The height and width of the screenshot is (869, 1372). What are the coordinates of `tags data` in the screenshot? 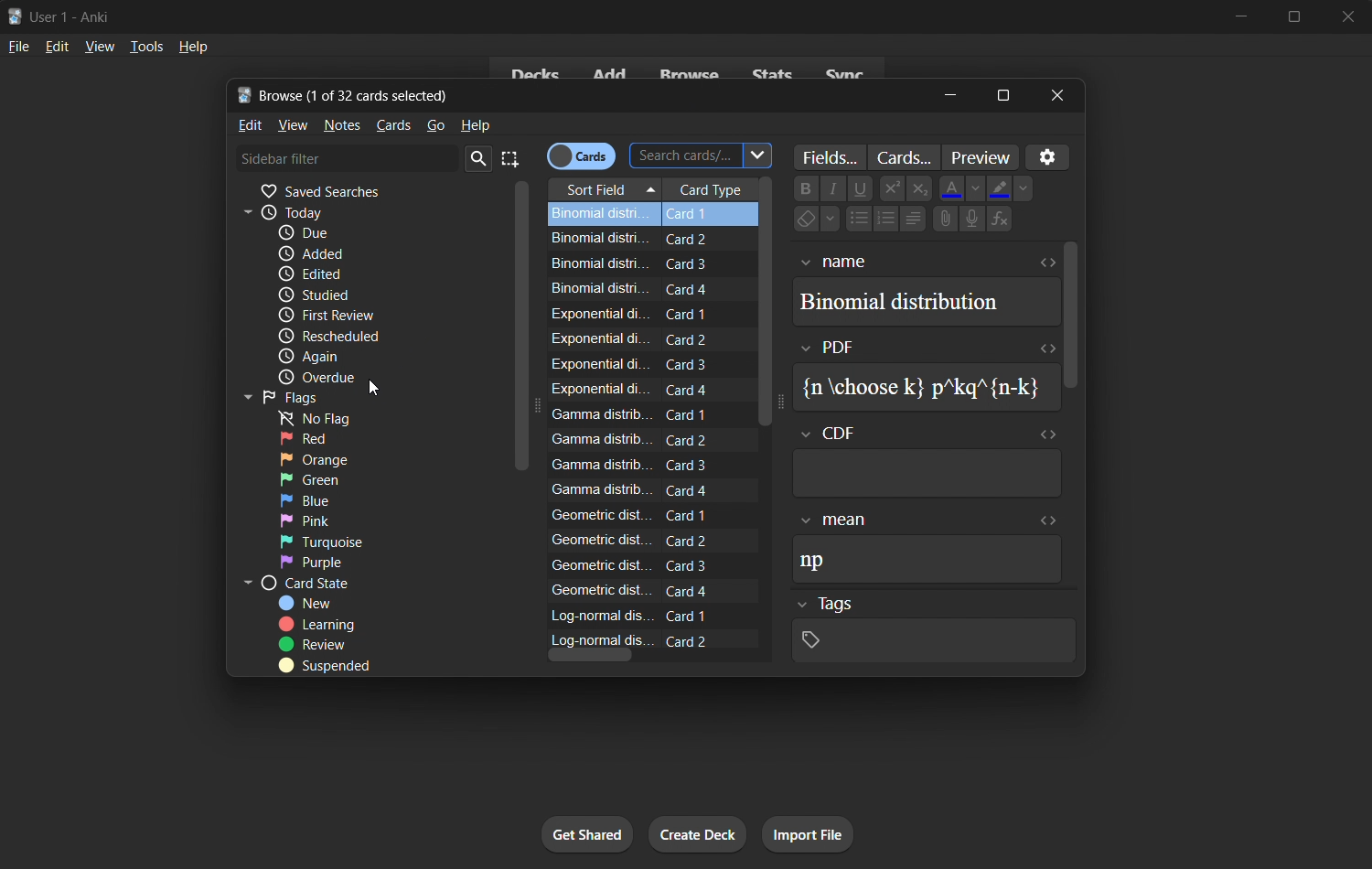 It's located at (920, 639).